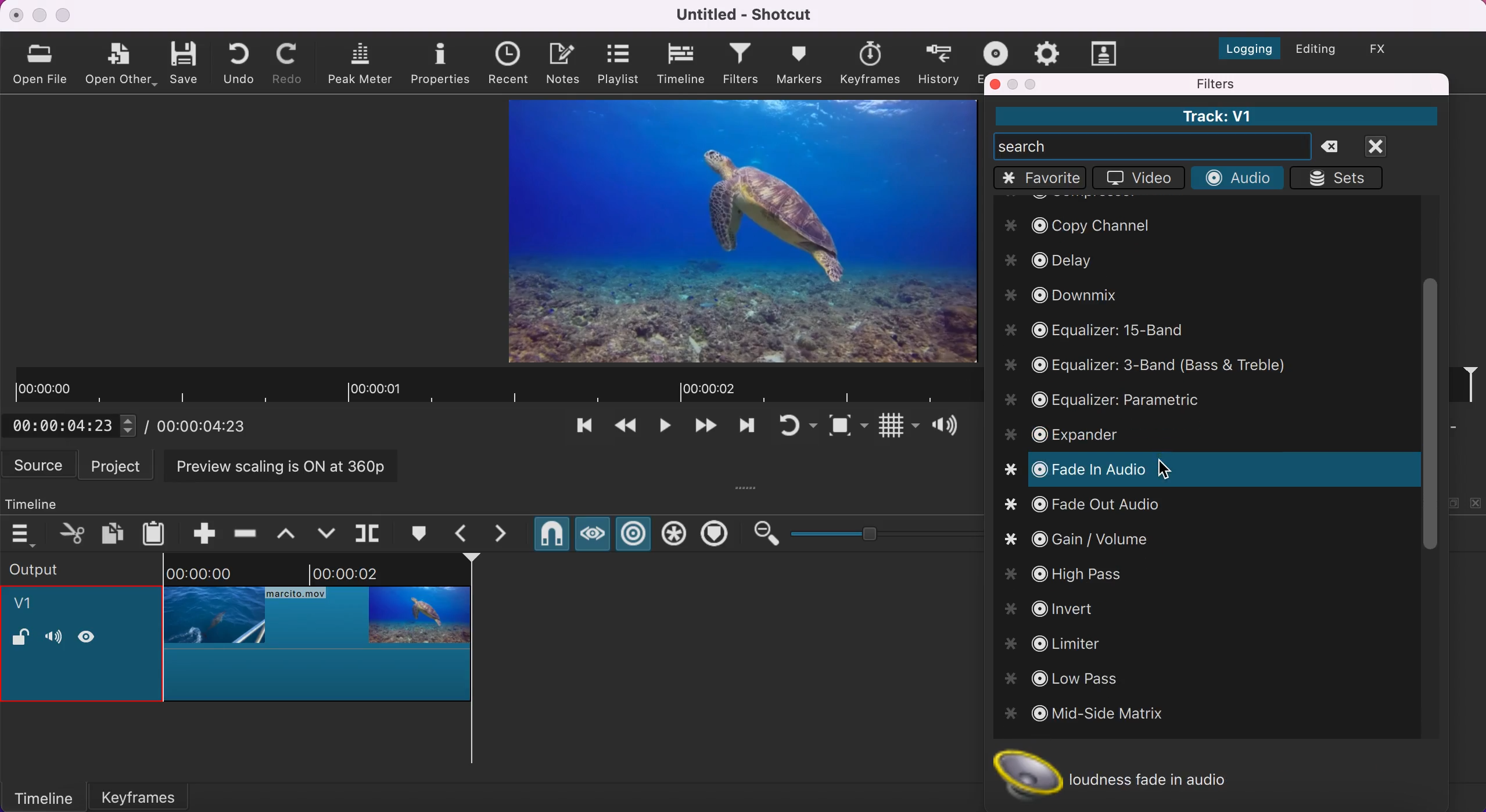 This screenshot has height=812, width=1486. What do you see at coordinates (1135, 403) in the screenshot?
I see `equalizer: parametric` at bounding box center [1135, 403].